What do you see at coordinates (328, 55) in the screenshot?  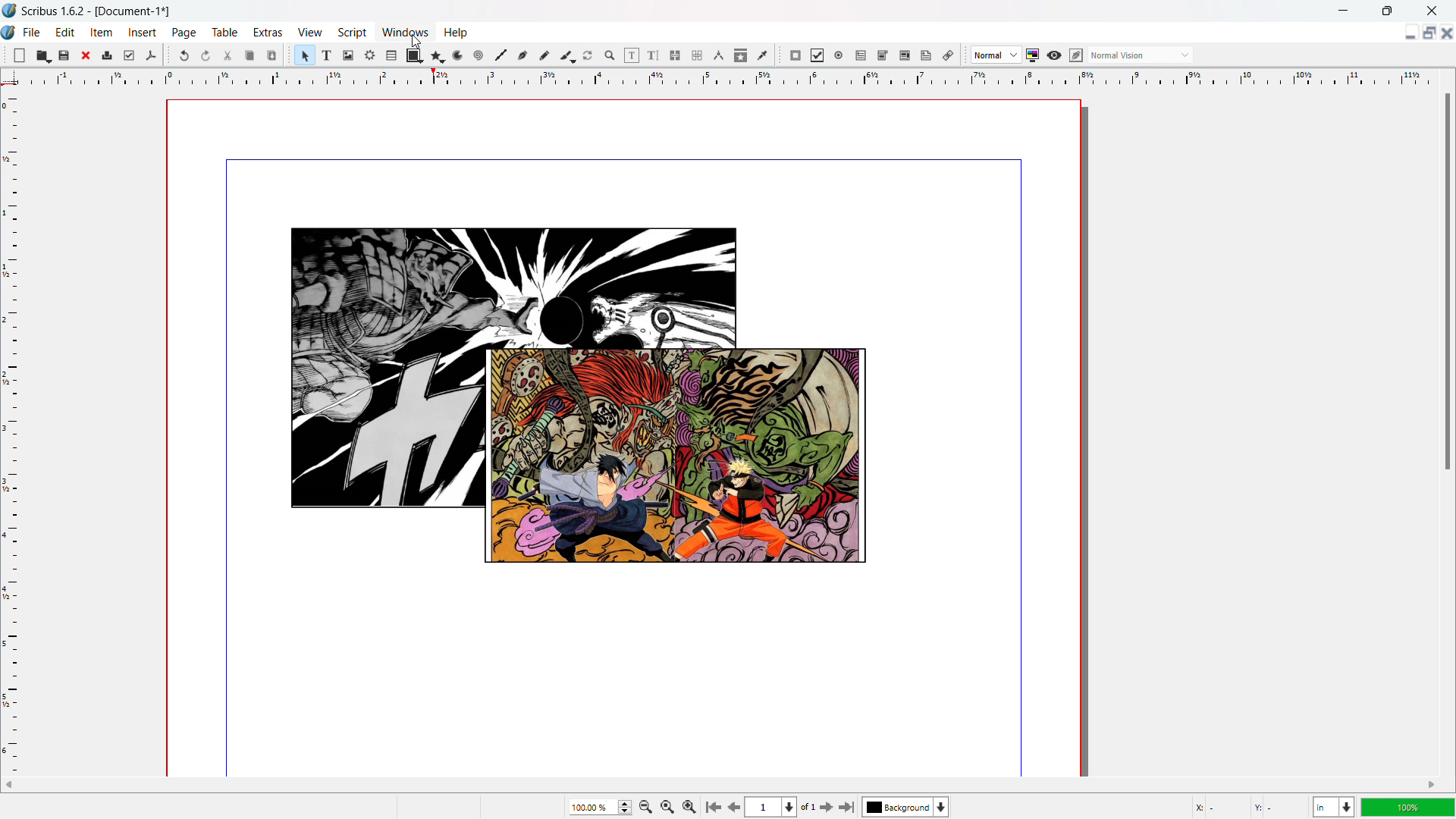 I see `text frame` at bounding box center [328, 55].